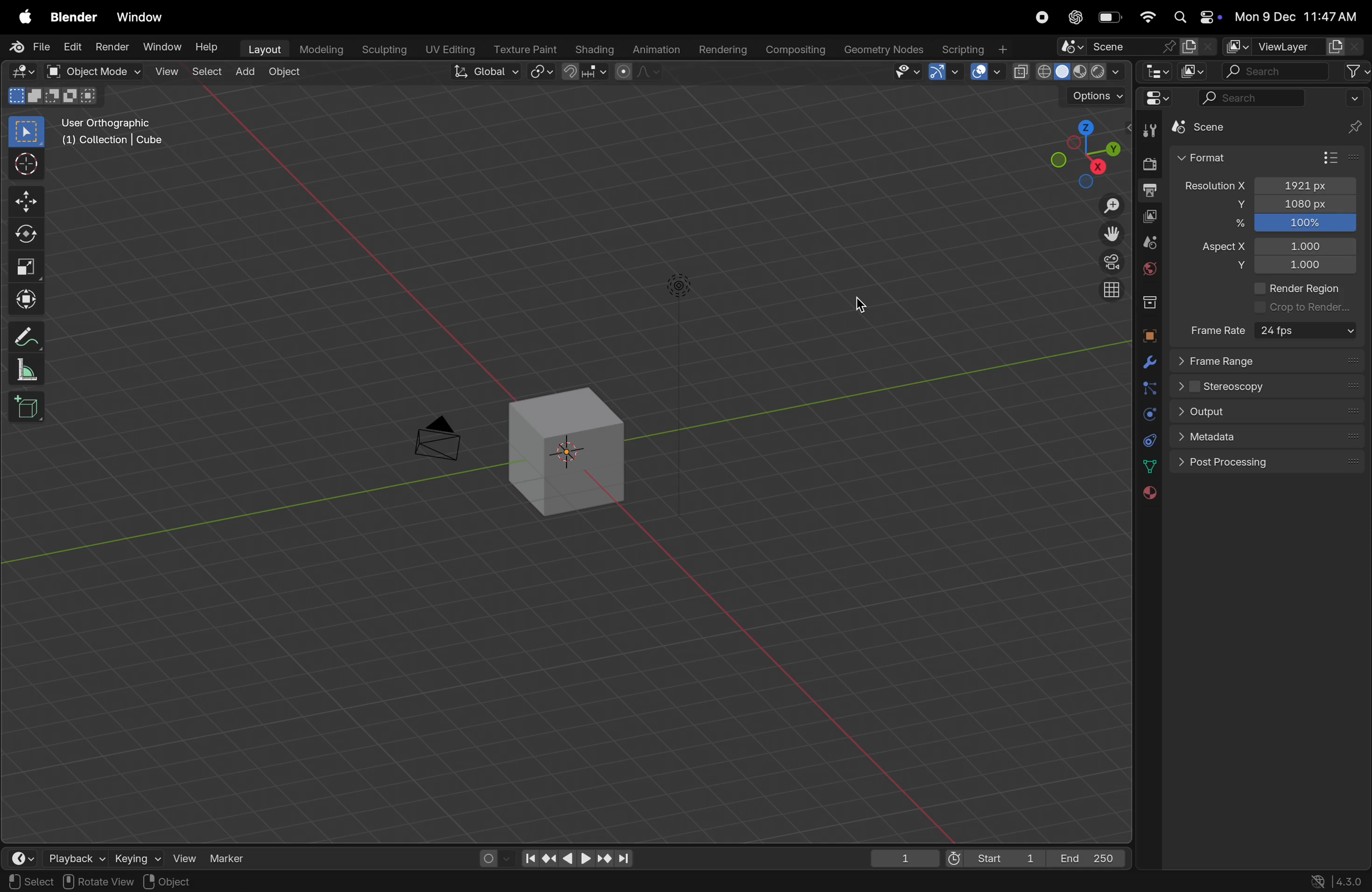 This screenshot has width=1372, height=892. Describe the element at coordinates (1292, 47) in the screenshot. I see `view layer` at that location.